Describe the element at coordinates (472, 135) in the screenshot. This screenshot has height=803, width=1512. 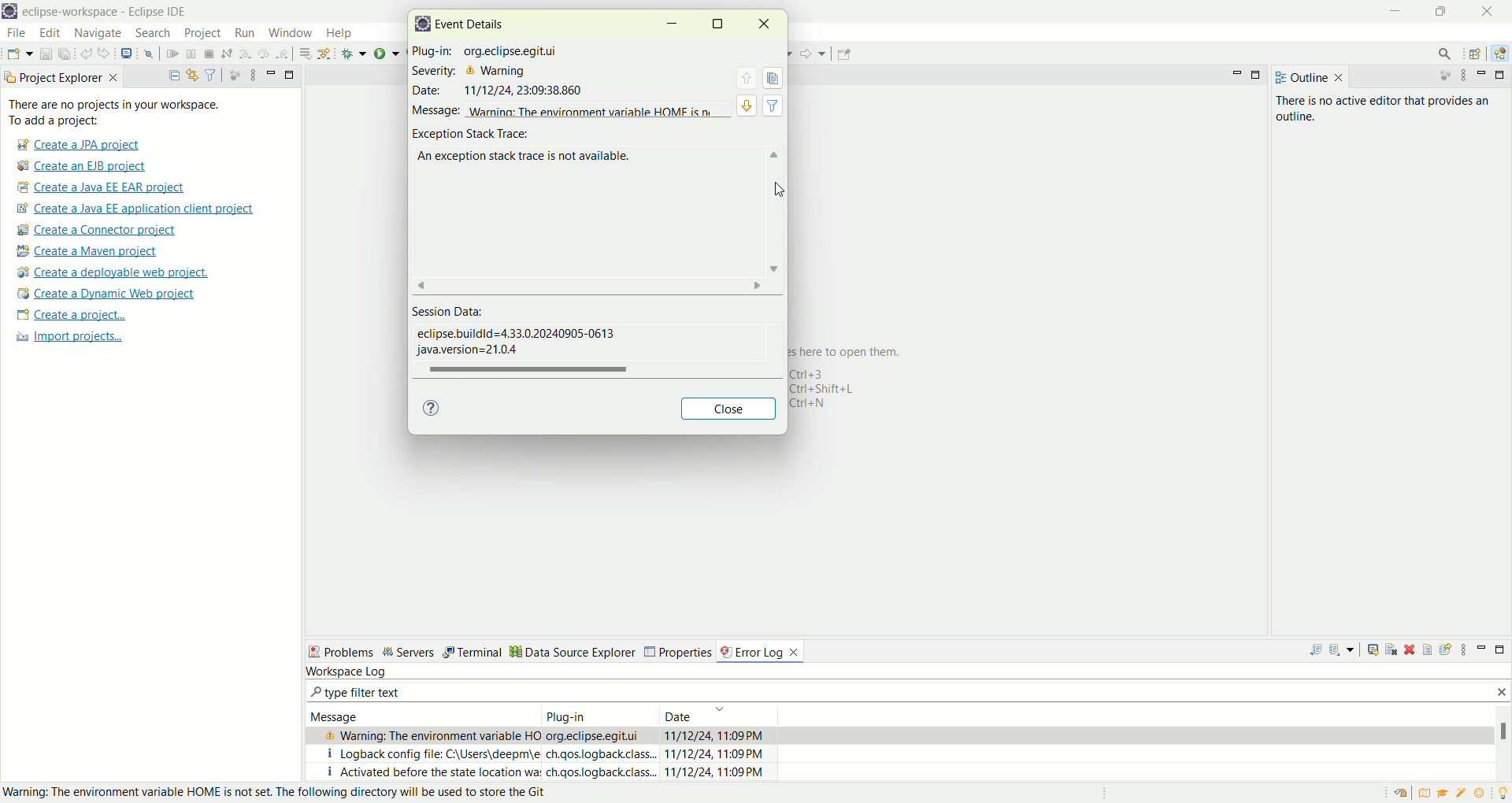
I see `exception stack trace` at that location.